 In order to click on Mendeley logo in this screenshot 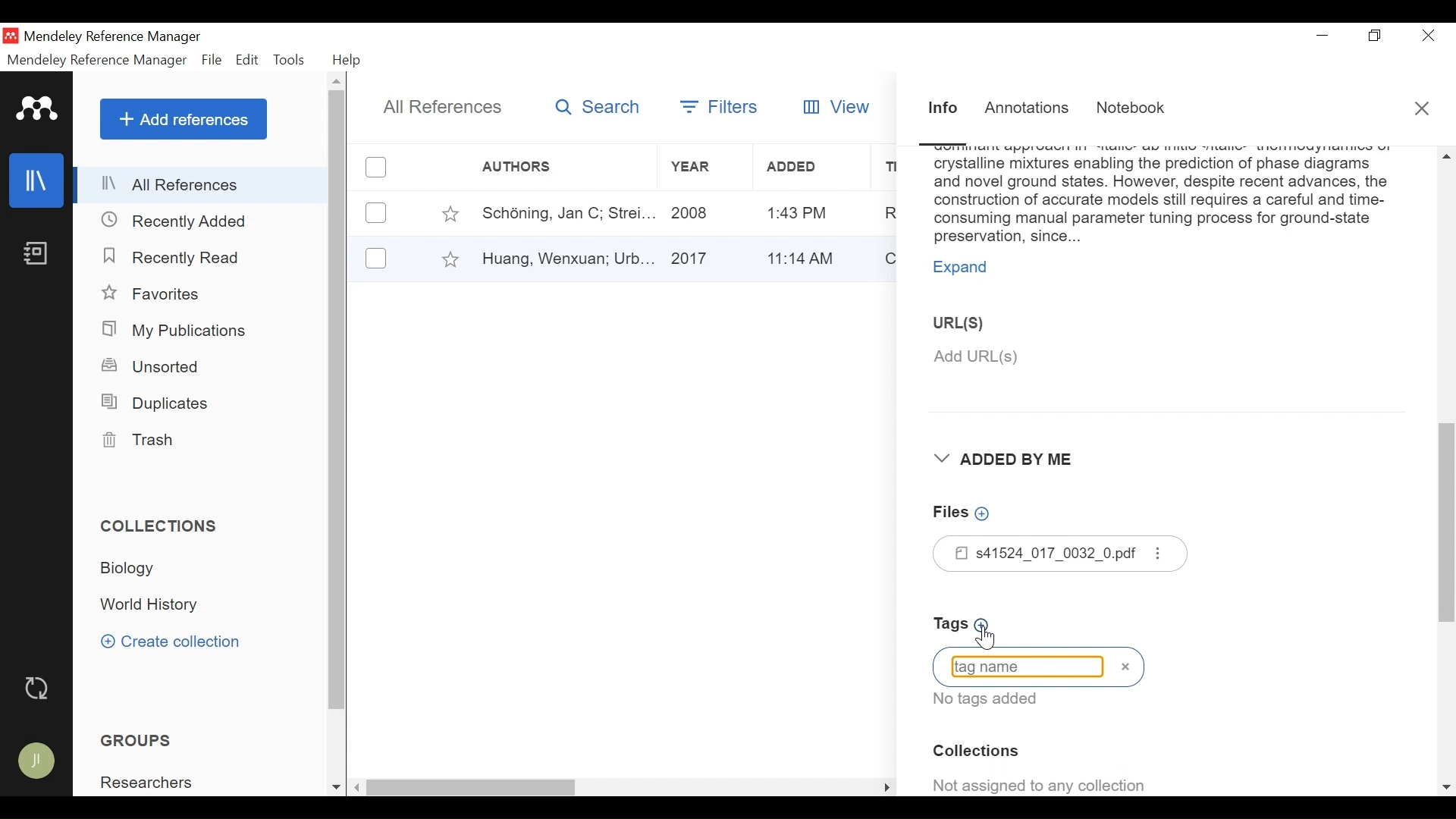, I will do `click(39, 109)`.